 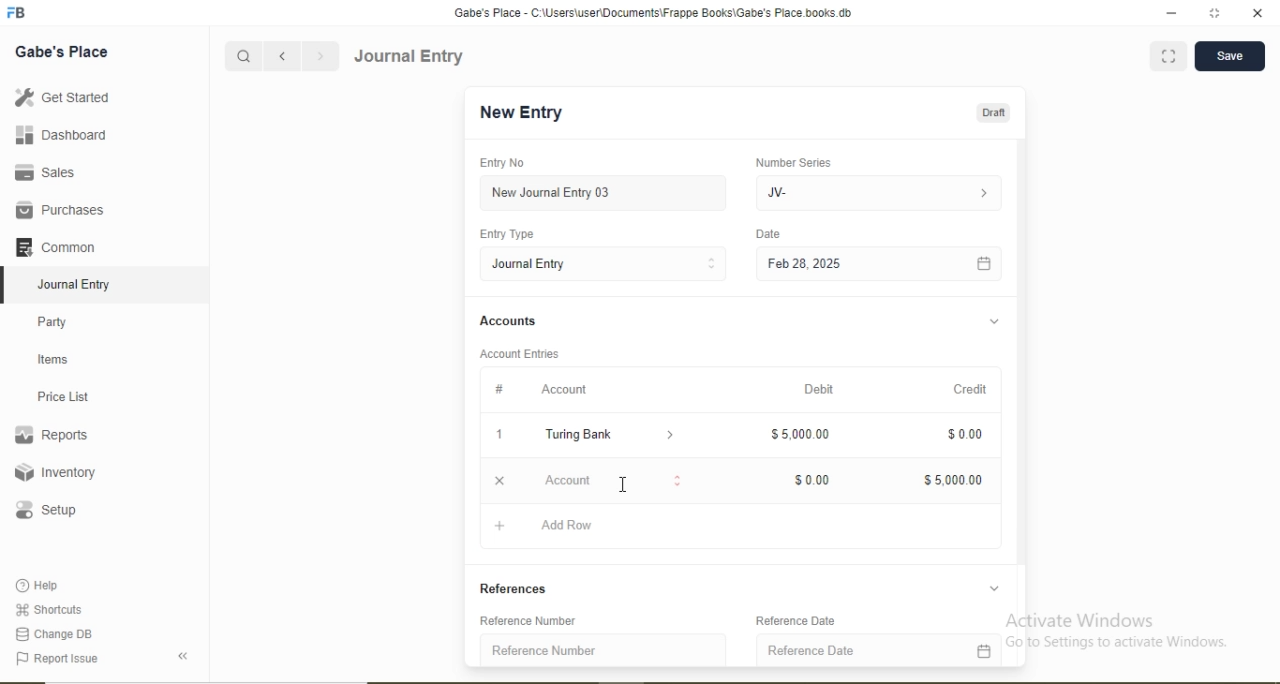 I want to click on Items, so click(x=53, y=359).